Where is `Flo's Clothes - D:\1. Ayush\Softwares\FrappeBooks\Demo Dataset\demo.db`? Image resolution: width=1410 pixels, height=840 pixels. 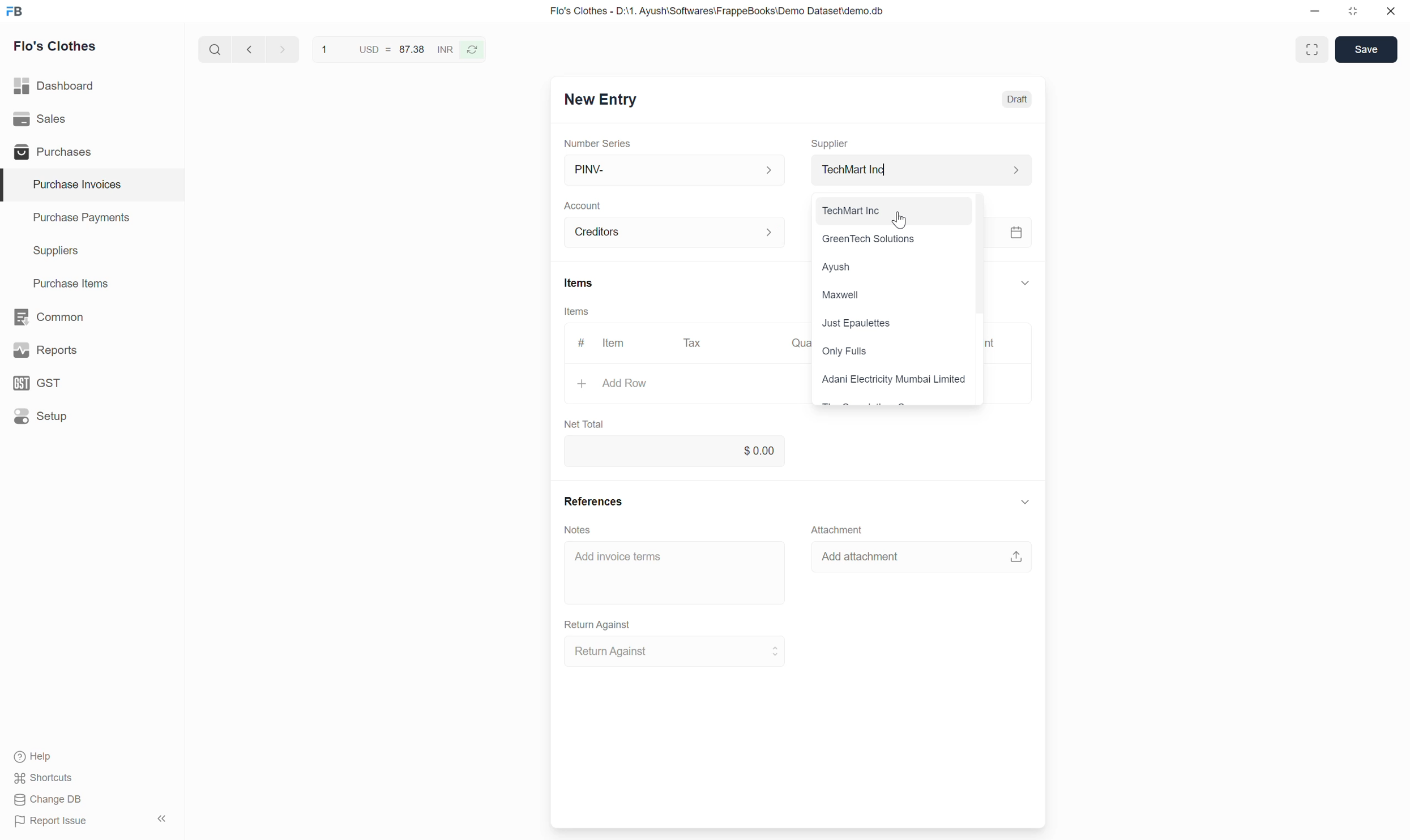 Flo's Clothes - D:\1. Ayush\Softwares\FrappeBooks\Demo Dataset\demo.db is located at coordinates (716, 11).